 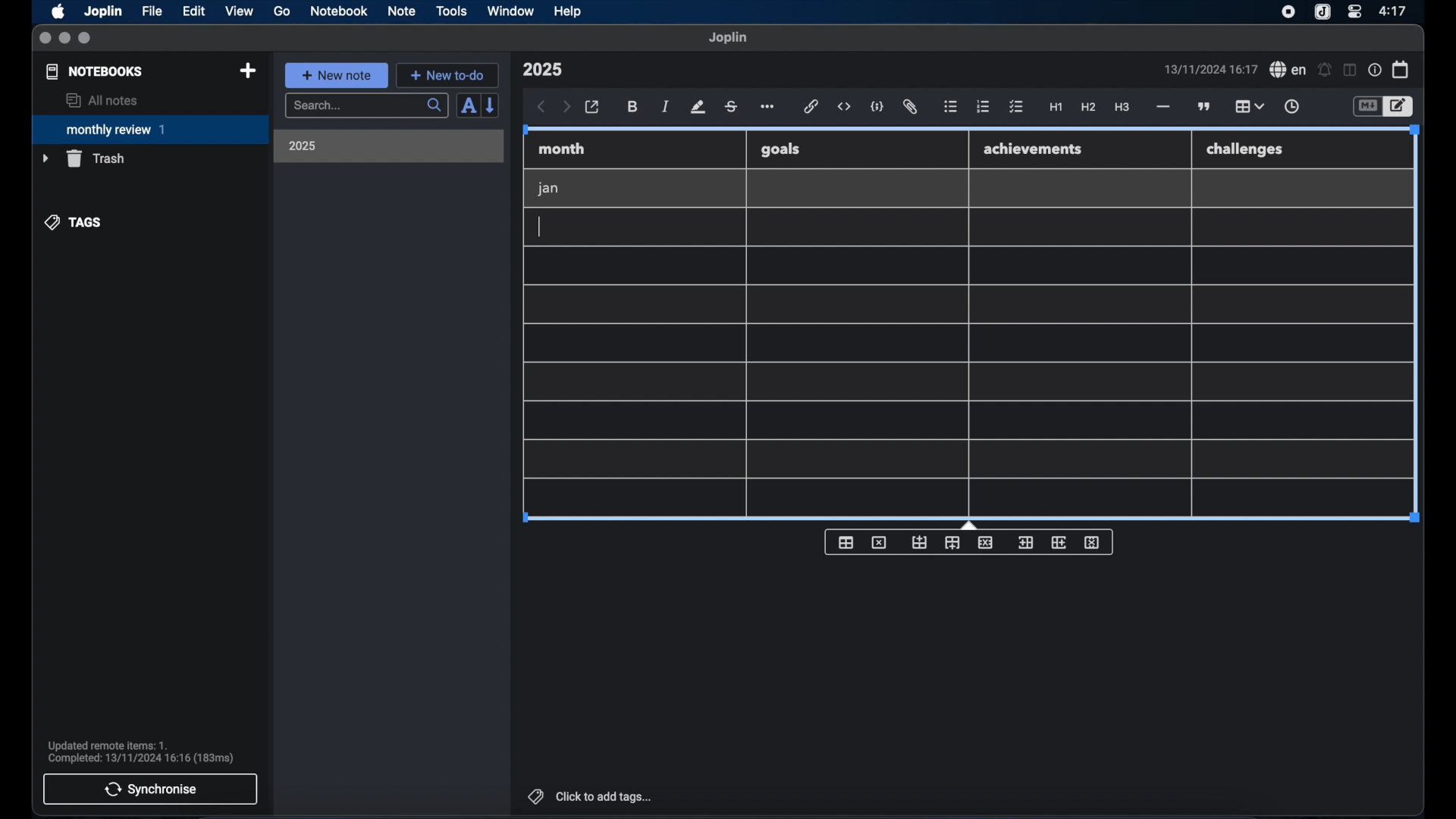 What do you see at coordinates (303, 146) in the screenshot?
I see `2025` at bounding box center [303, 146].